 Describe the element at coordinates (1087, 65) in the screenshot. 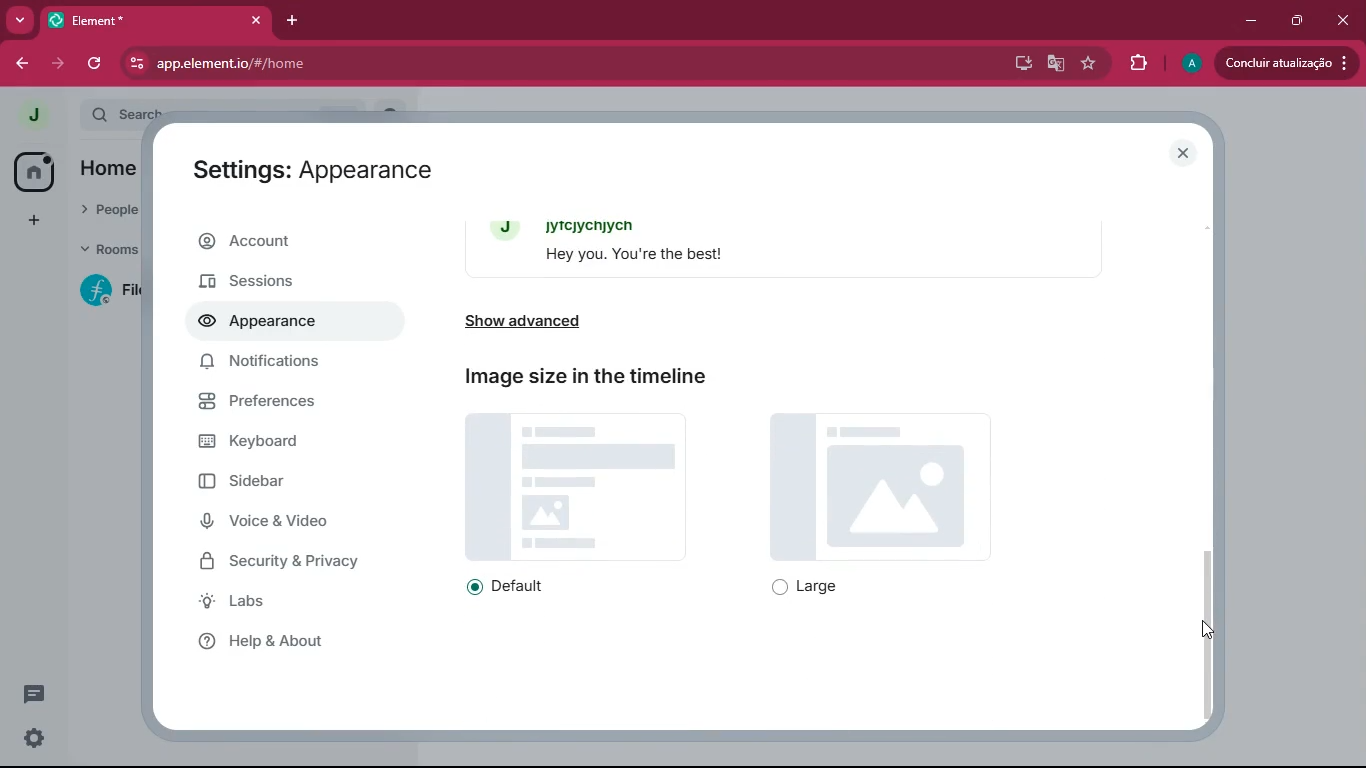

I see `favourite` at that location.